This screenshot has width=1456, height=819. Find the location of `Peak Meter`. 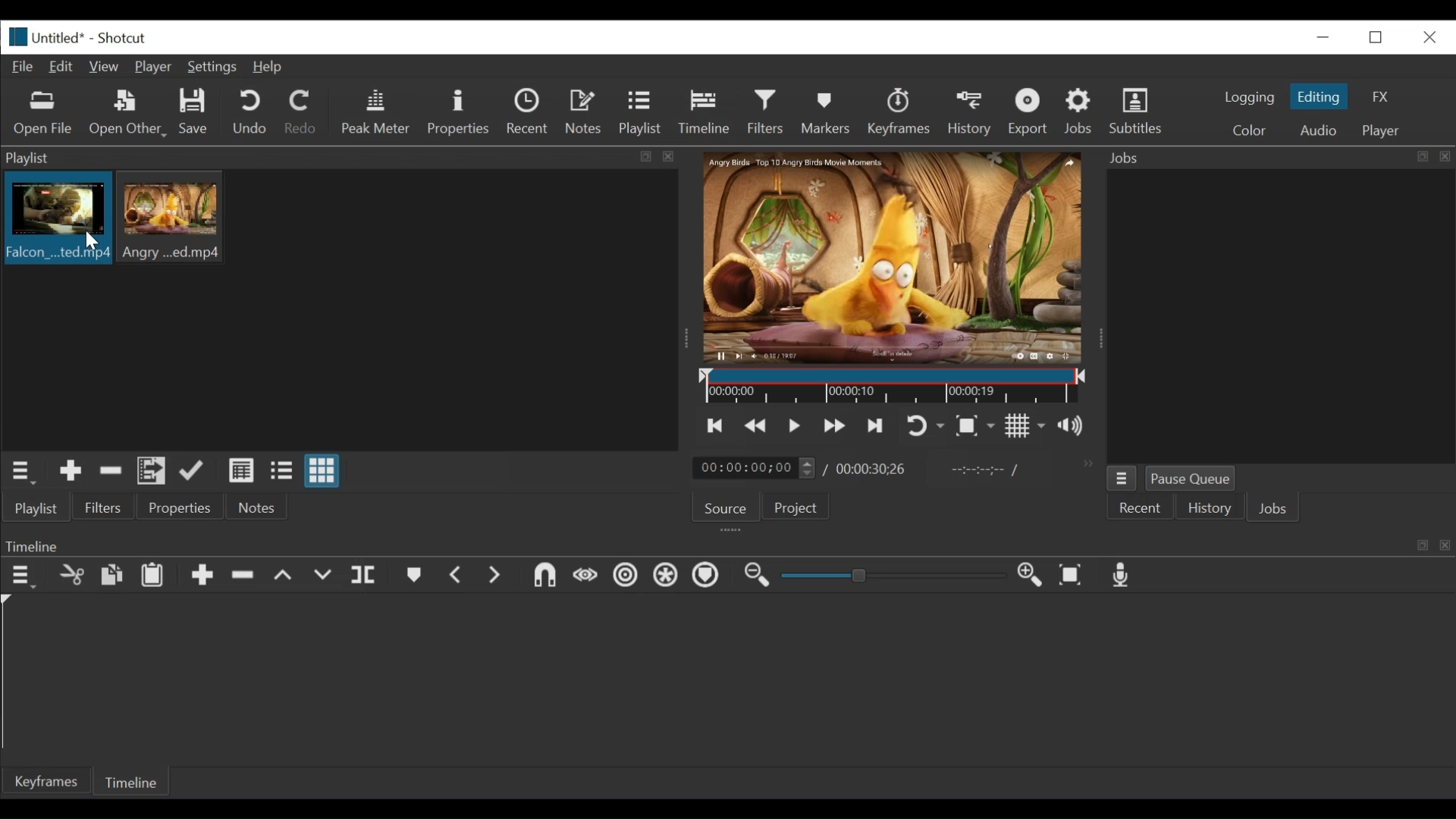

Peak Meter is located at coordinates (378, 112).